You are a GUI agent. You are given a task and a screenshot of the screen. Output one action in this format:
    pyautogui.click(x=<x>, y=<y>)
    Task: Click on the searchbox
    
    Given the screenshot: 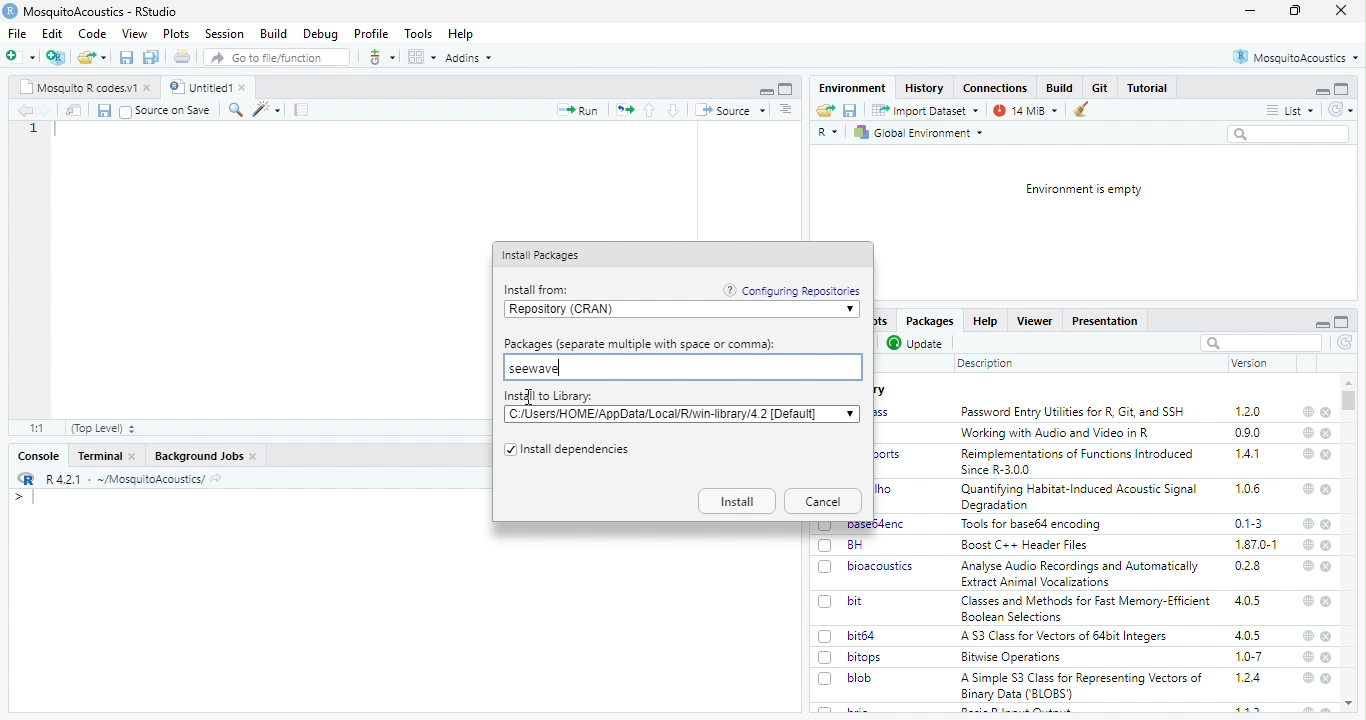 What is the action you would take?
    pyautogui.click(x=1261, y=343)
    